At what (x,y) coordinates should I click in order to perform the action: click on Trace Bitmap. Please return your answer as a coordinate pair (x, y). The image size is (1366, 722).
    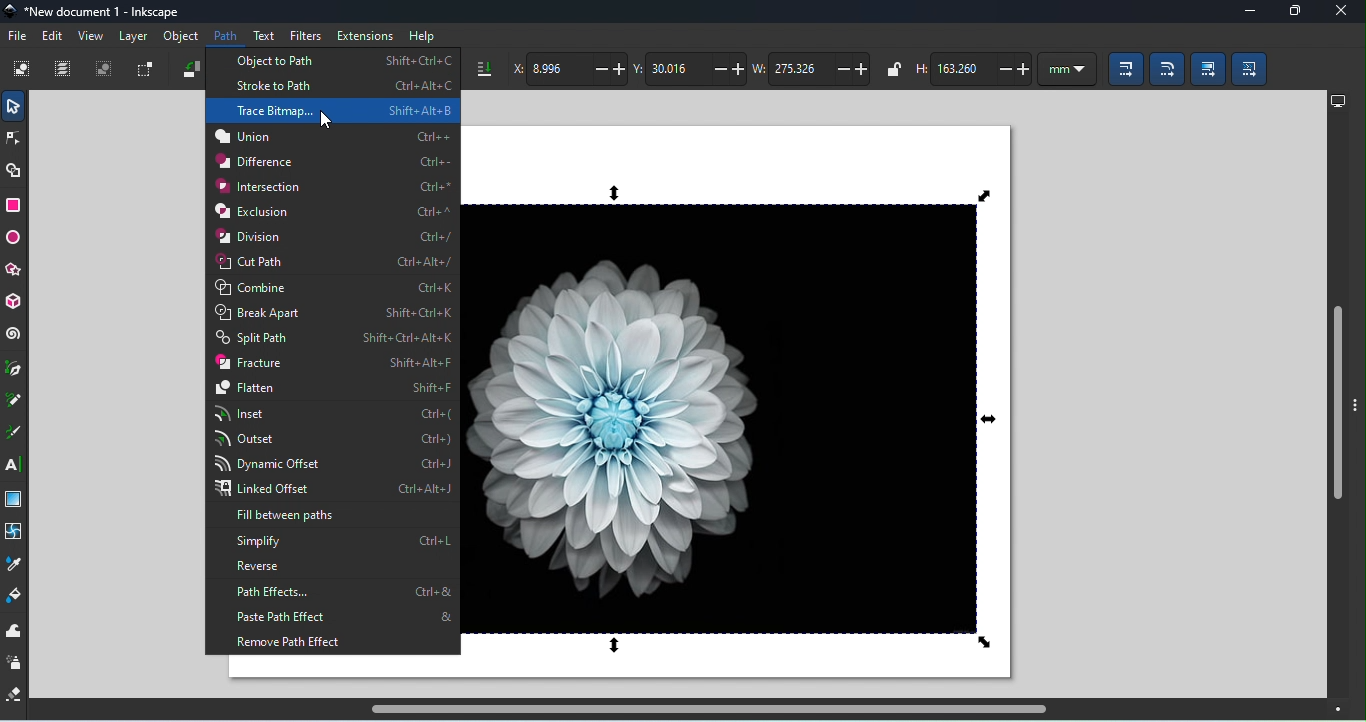
    Looking at the image, I should click on (331, 110).